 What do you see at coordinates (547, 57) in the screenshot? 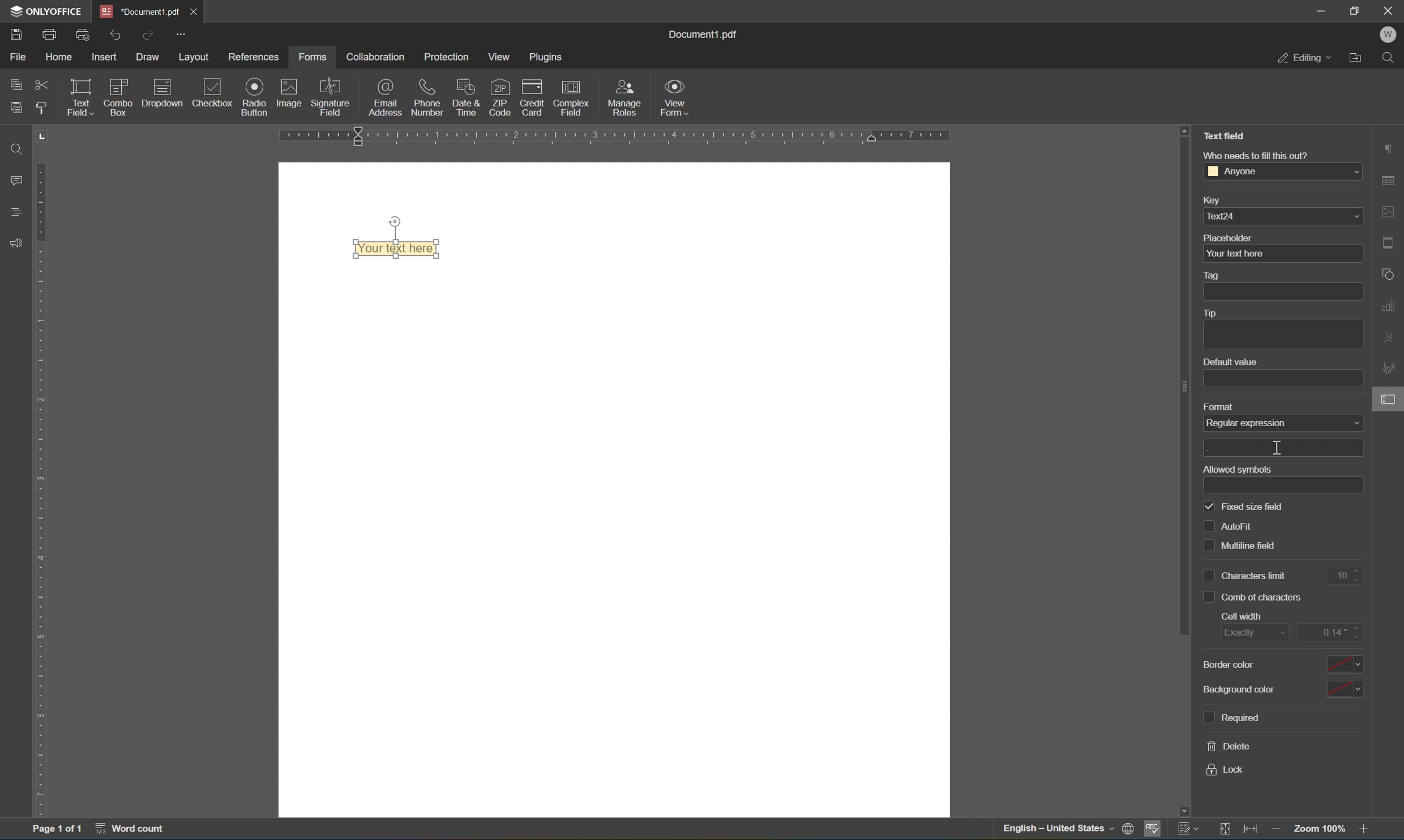
I see `plugins` at bounding box center [547, 57].